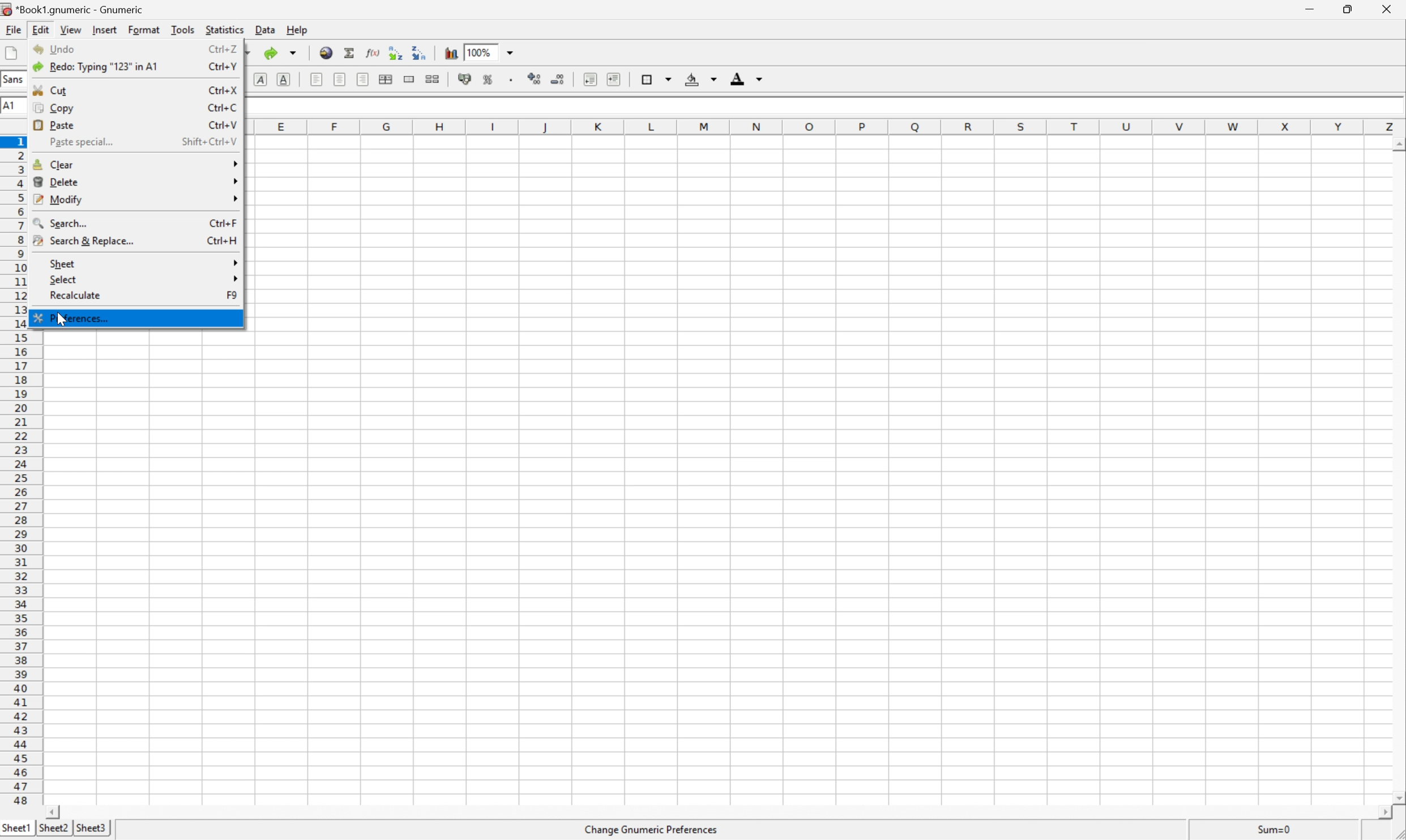 Image resolution: width=1406 pixels, height=840 pixels. I want to click on scroll left, so click(68, 813).